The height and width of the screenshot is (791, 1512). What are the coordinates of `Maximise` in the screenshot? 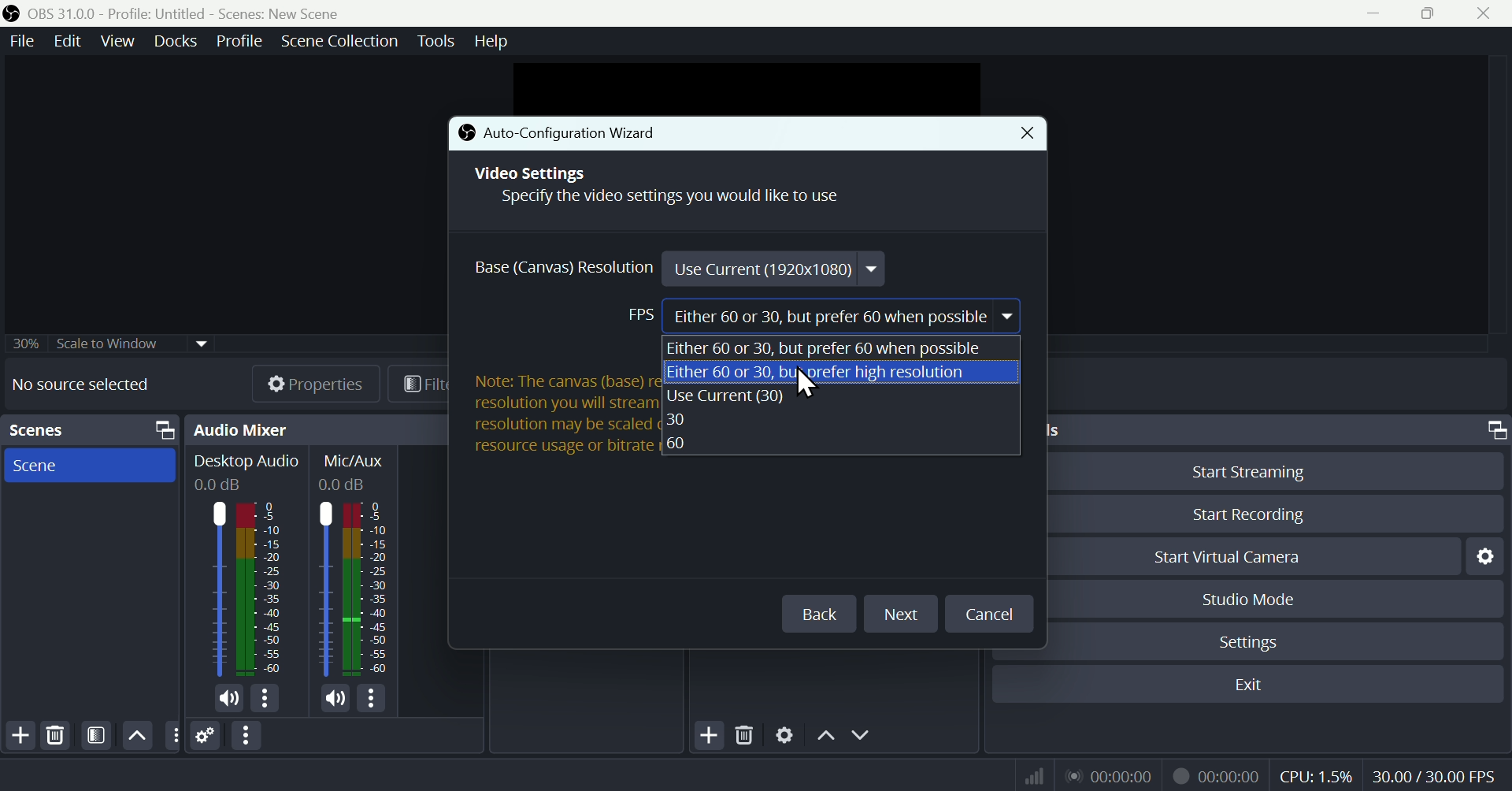 It's located at (1432, 13).